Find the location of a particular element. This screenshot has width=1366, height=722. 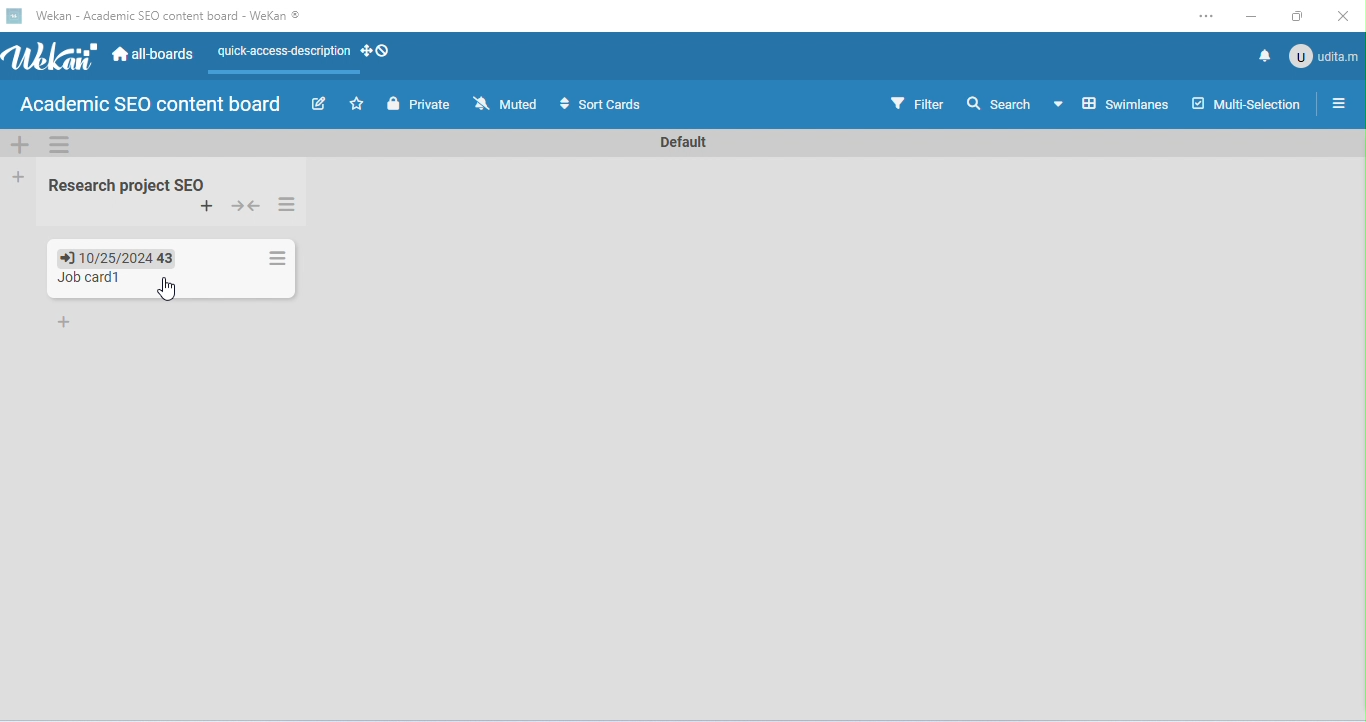

edit is located at coordinates (318, 103).